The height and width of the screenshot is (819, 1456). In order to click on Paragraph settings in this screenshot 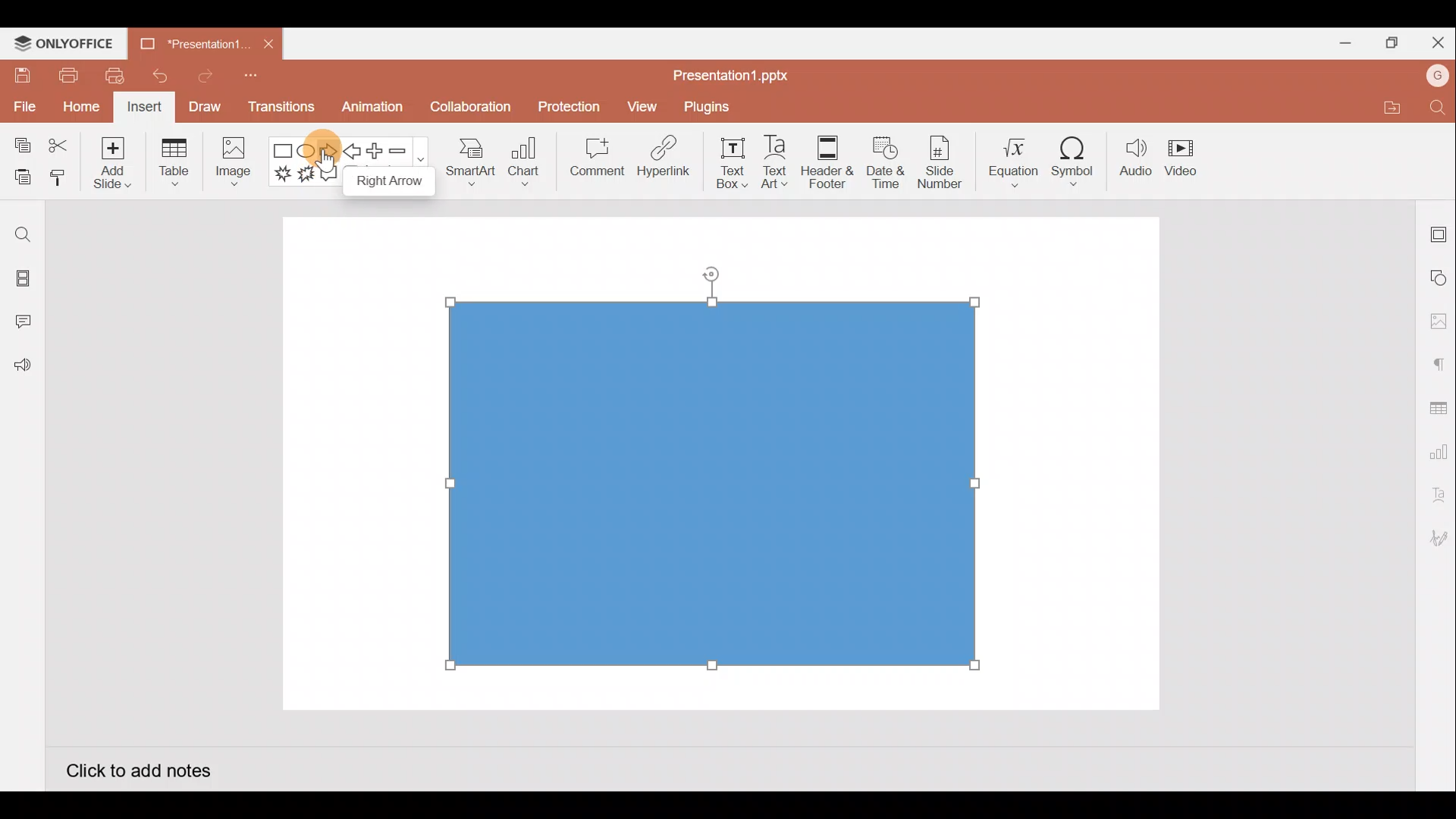, I will do `click(1438, 362)`.